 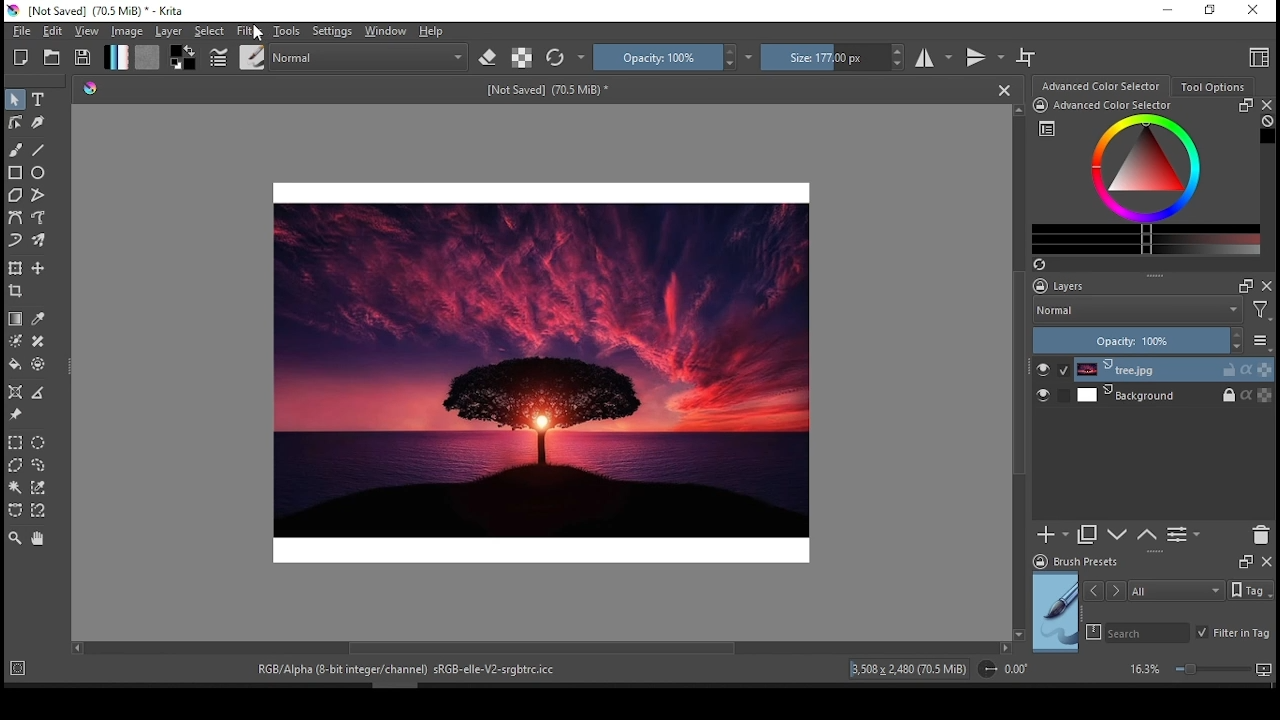 What do you see at coordinates (286, 31) in the screenshot?
I see `tools` at bounding box center [286, 31].